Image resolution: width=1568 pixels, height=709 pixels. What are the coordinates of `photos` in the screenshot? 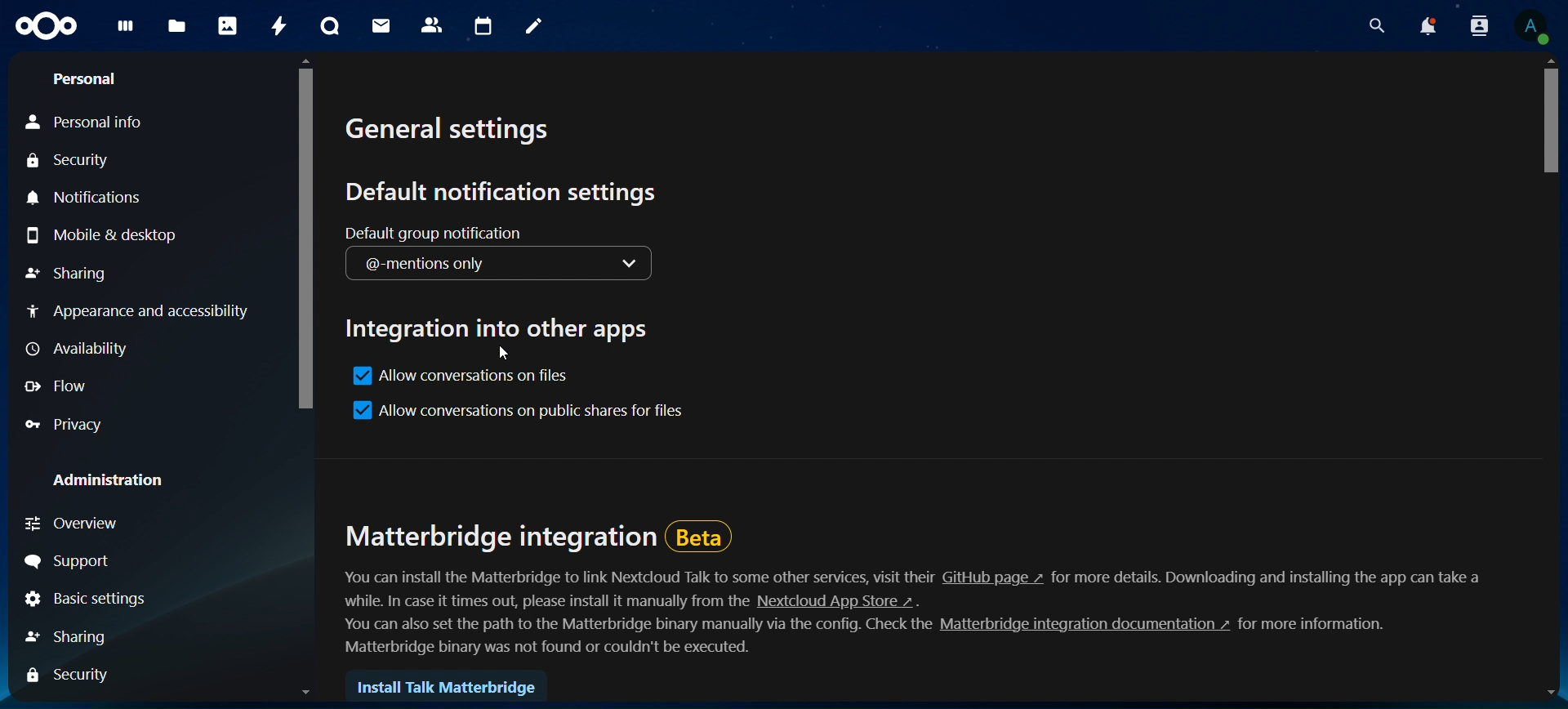 It's located at (227, 25).